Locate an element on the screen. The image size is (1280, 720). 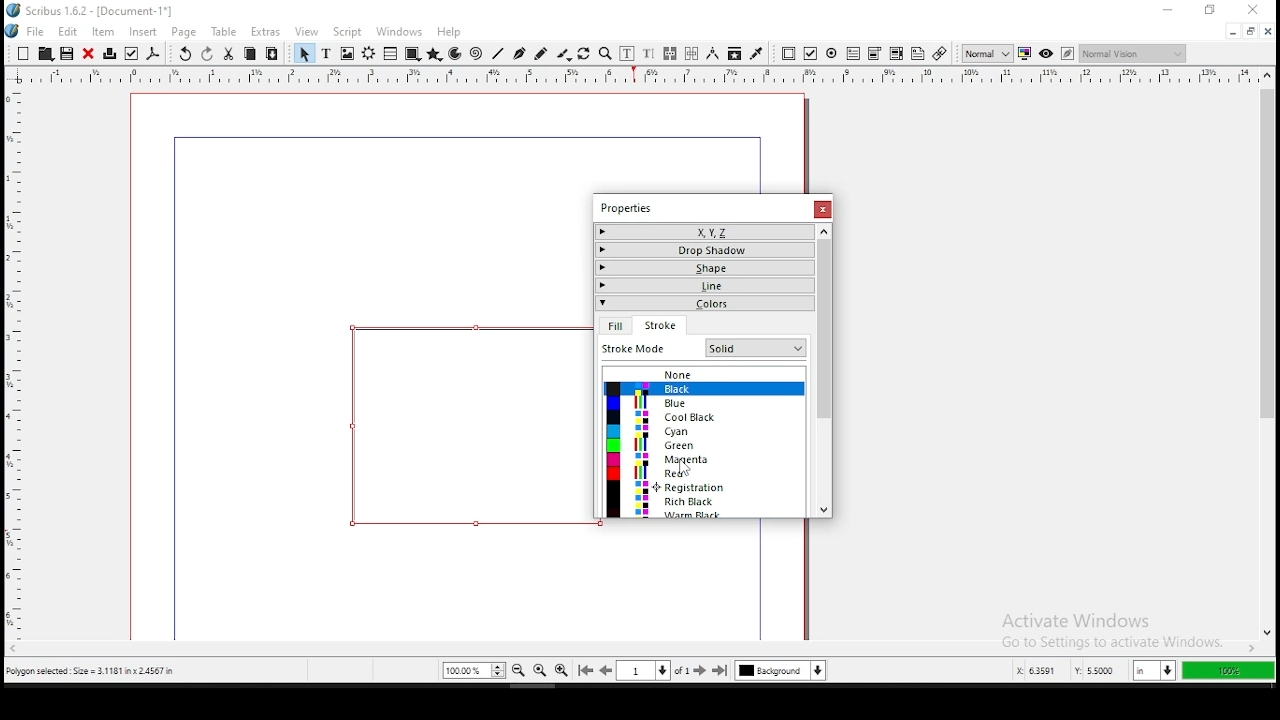
warm black is located at coordinates (702, 515).